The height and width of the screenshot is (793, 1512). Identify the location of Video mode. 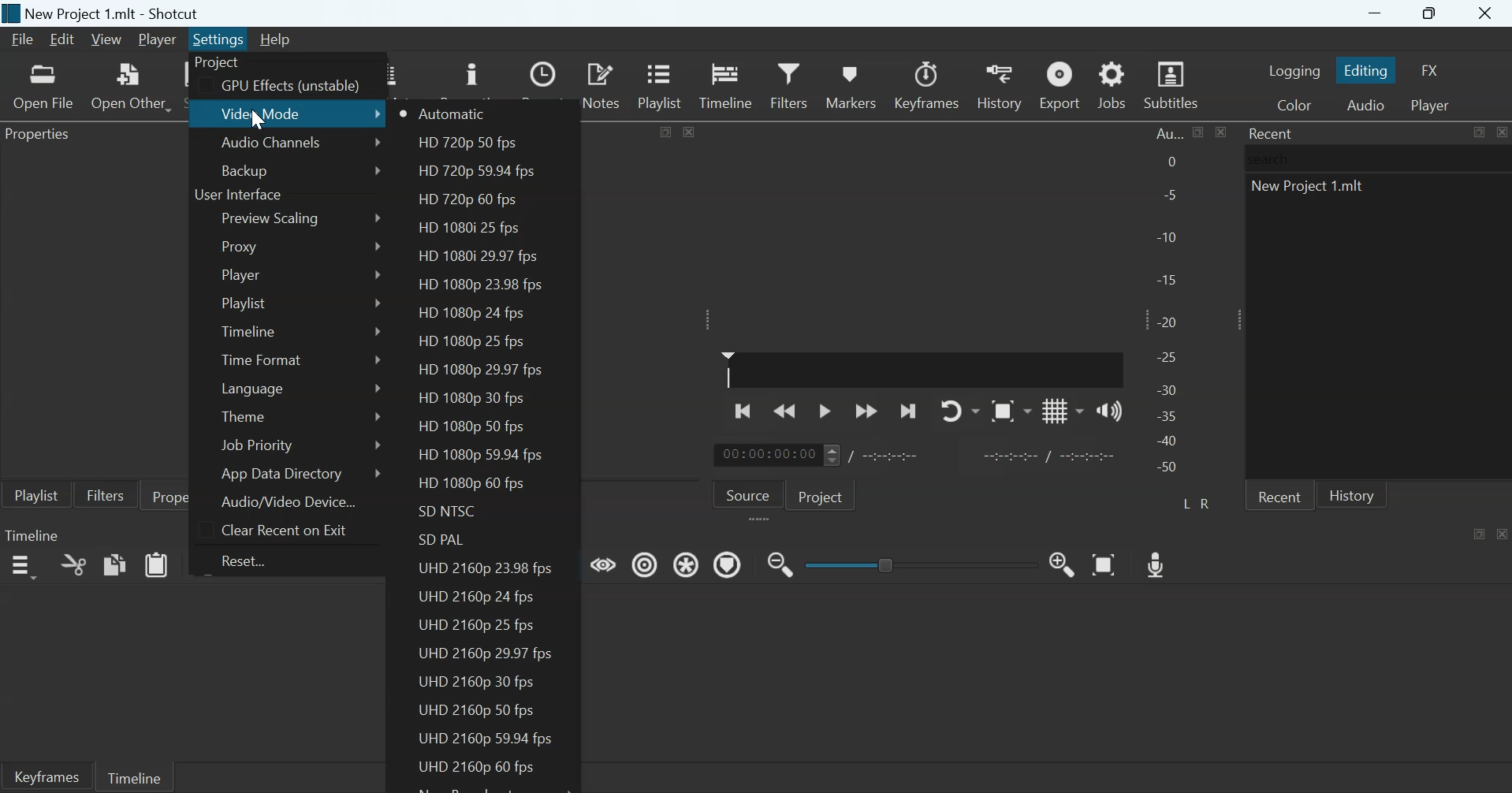
(264, 113).